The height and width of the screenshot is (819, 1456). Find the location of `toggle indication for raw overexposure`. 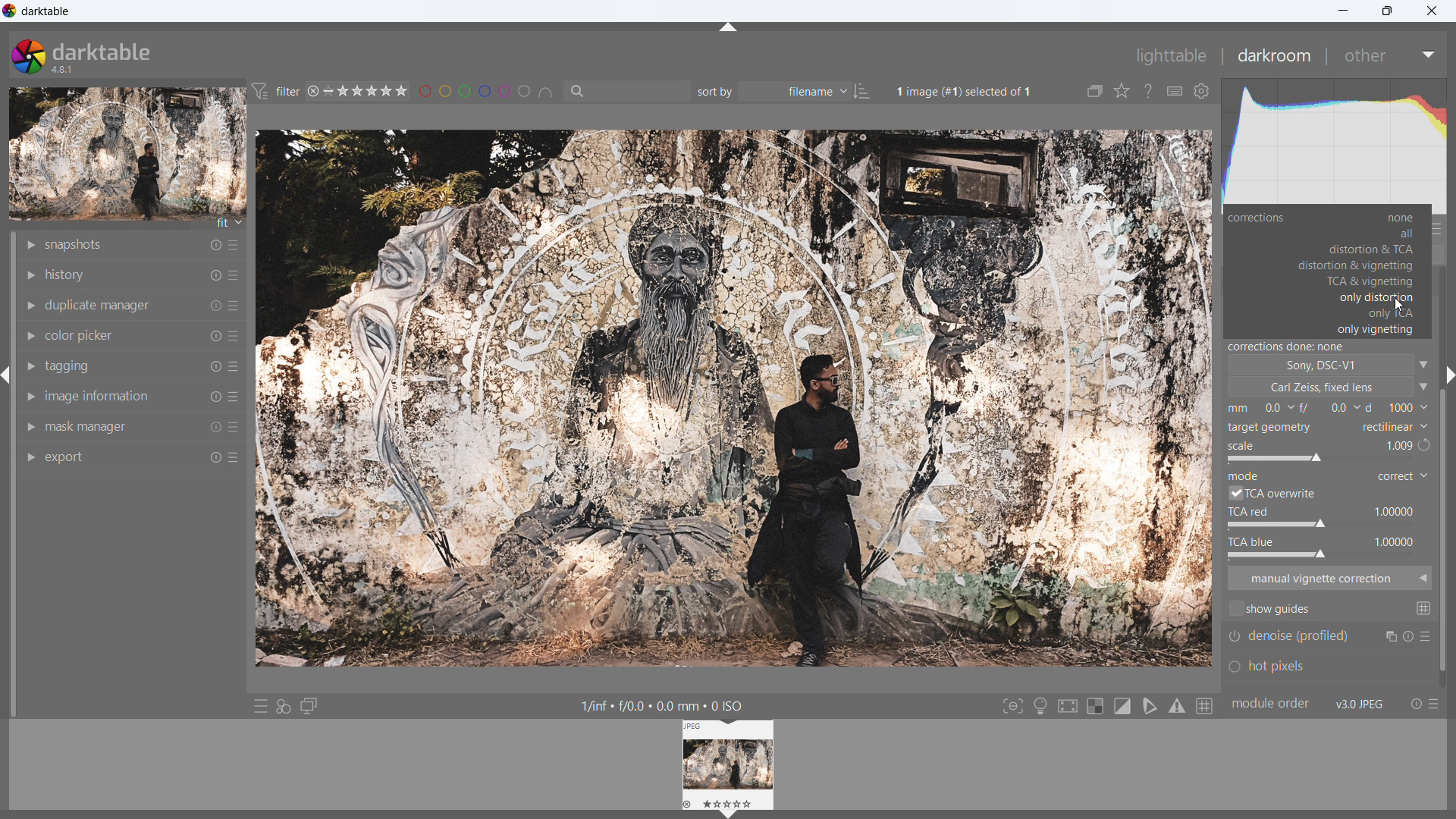

toggle indication for raw overexposure is located at coordinates (1096, 706).